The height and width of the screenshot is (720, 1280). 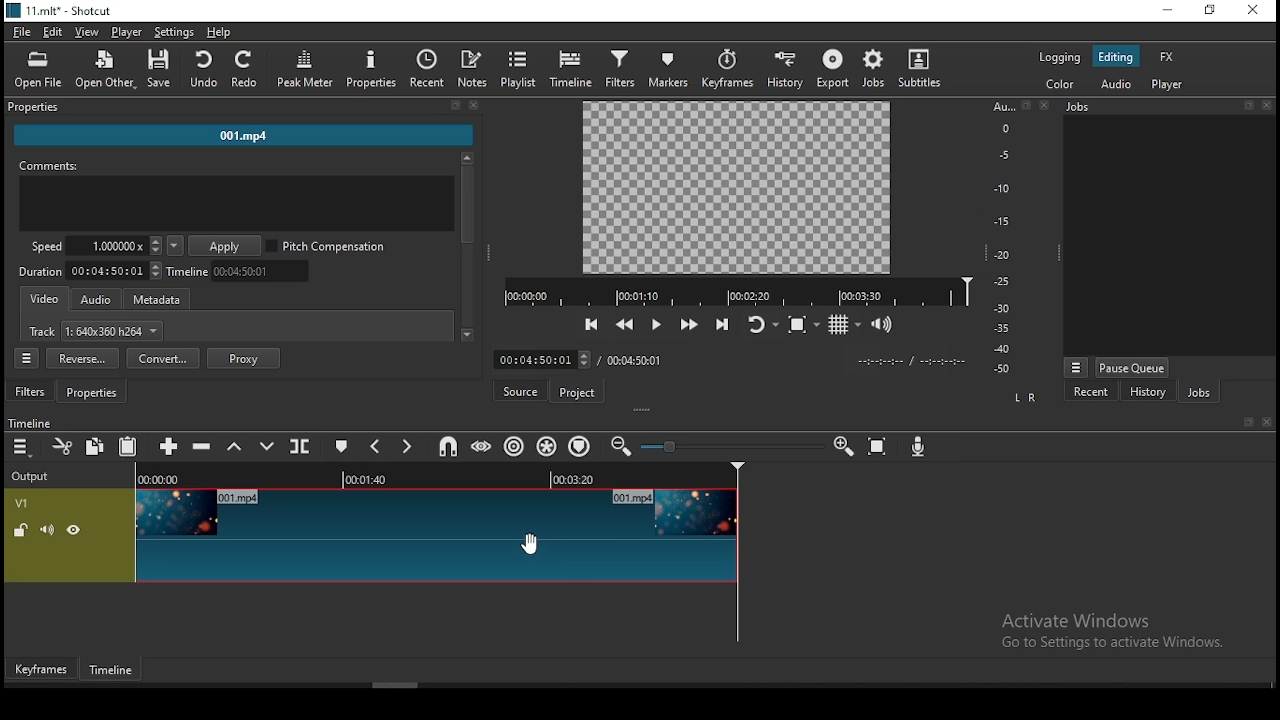 What do you see at coordinates (572, 67) in the screenshot?
I see `timeline` at bounding box center [572, 67].